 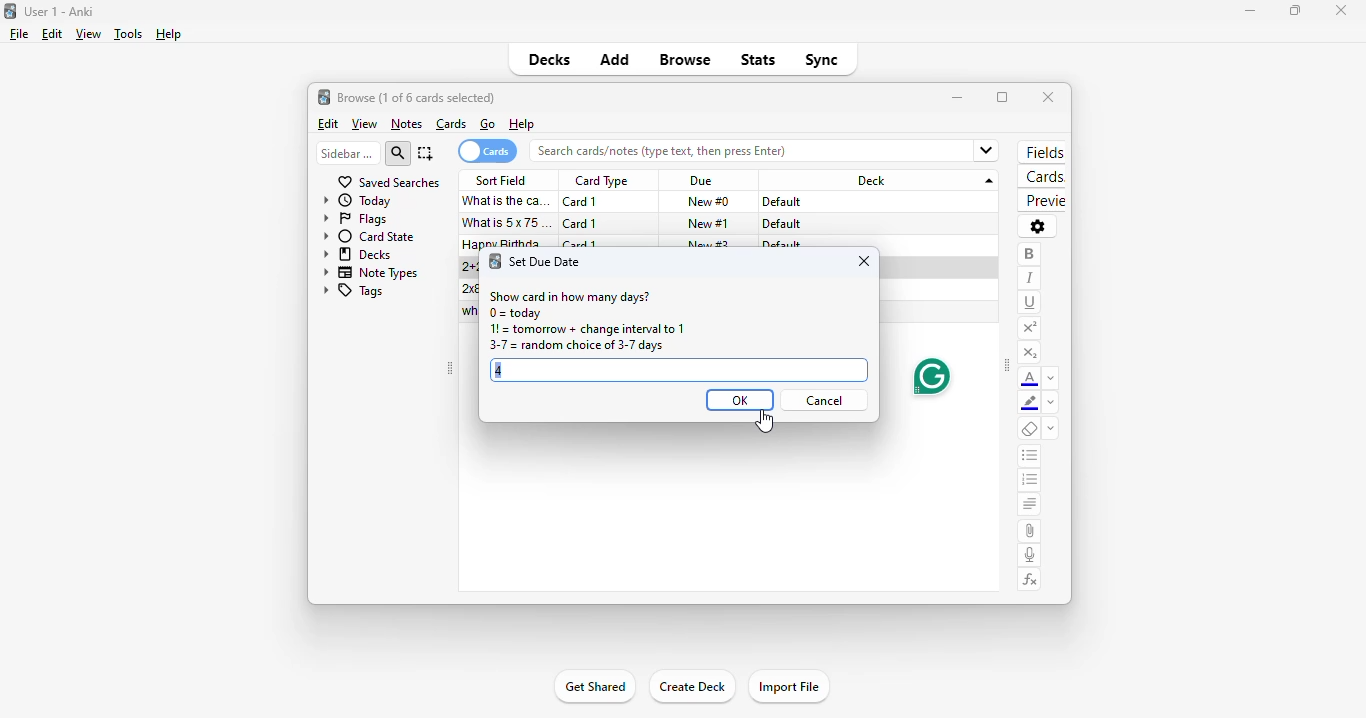 What do you see at coordinates (958, 97) in the screenshot?
I see `minimize` at bounding box center [958, 97].